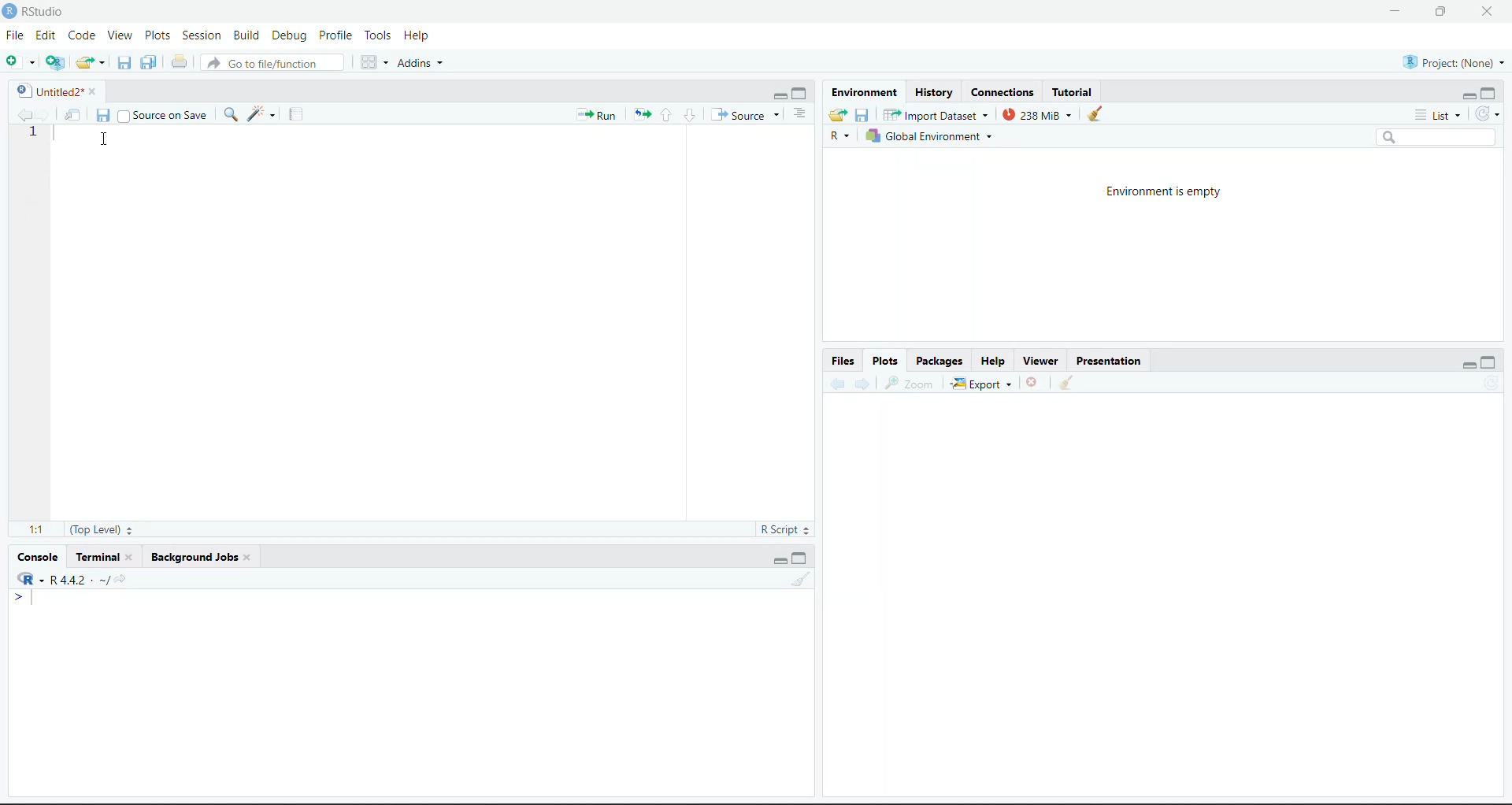 This screenshot has width=1512, height=805. What do you see at coordinates (20, 61) in the screenshot?
I see `new file` at bounding box center [20, 61].